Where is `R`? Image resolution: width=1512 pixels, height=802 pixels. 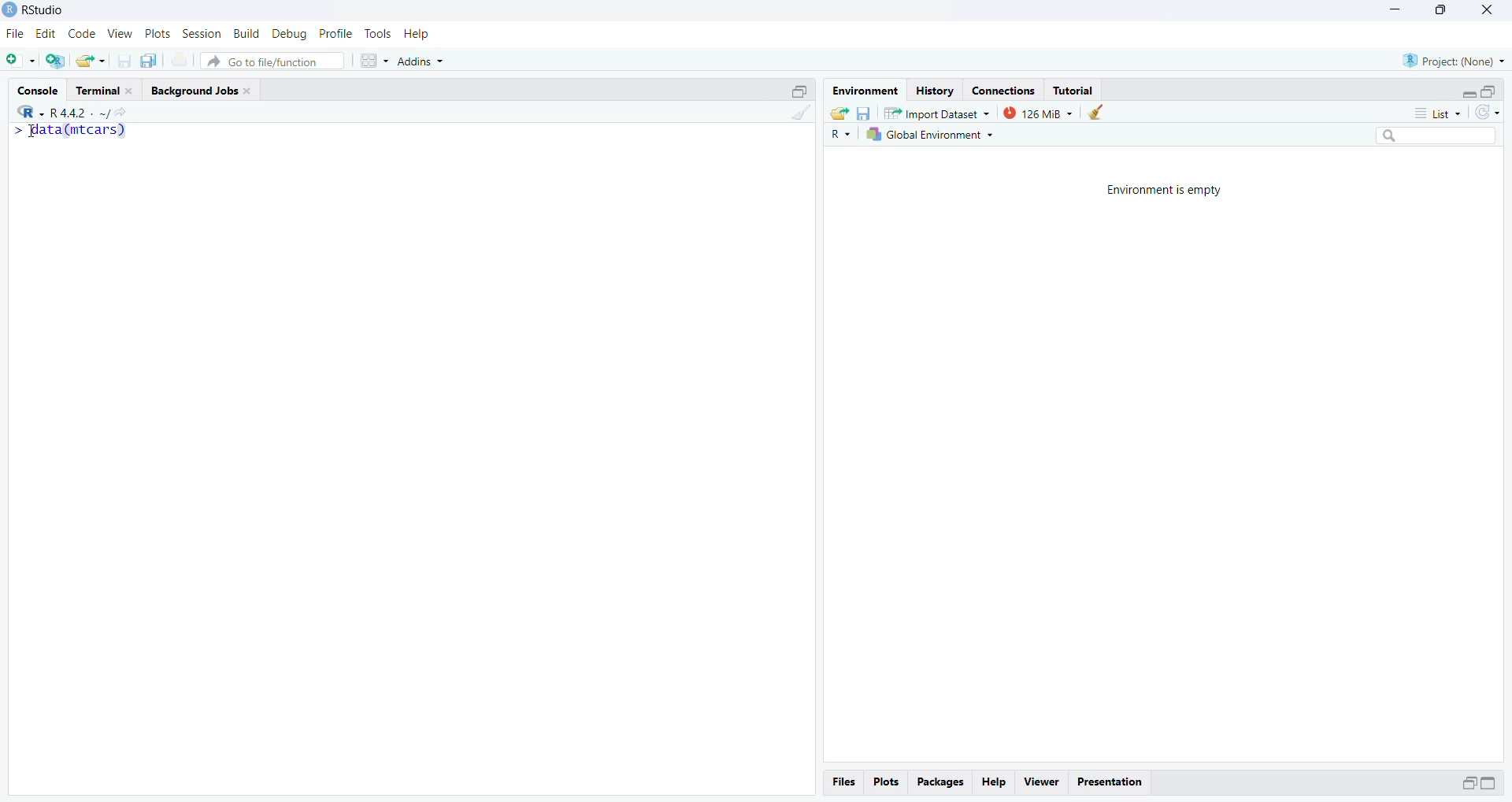 R is located at coordinates (838, 136).